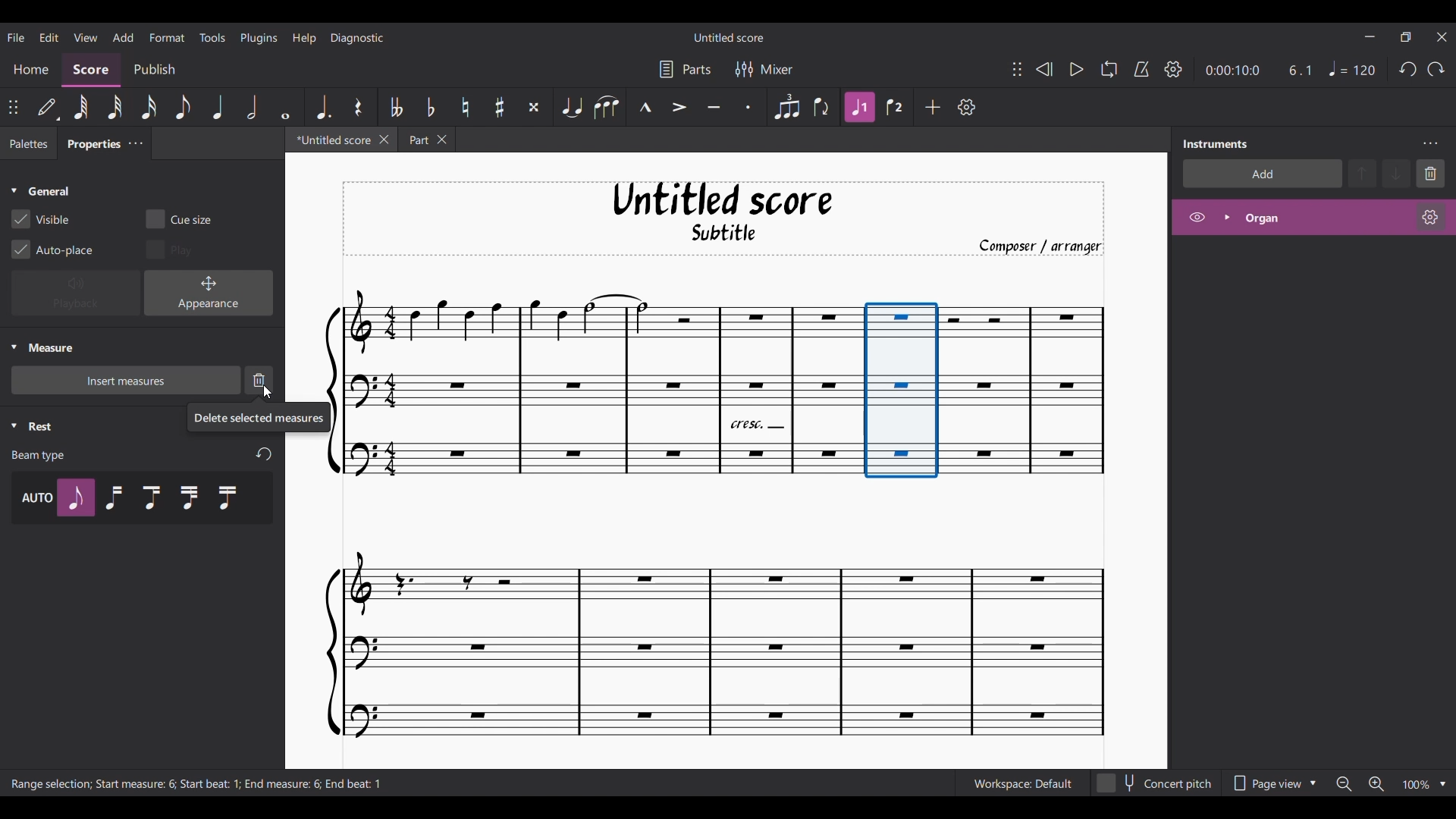 Image resolution: width=1456 pixels, height=819 pixels. What do you see at coordinates (1141, 70) in the screenshot?
I see `Metronome` at bounding box center [1141, 70].